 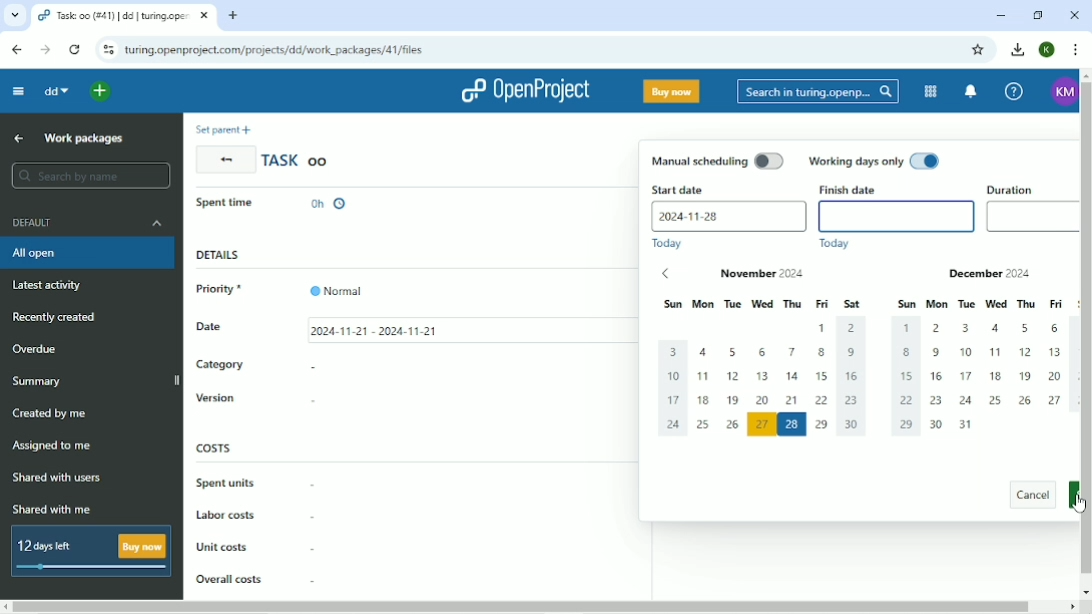 I want to click on Bookmark this tab, so click(x=981, y=50).